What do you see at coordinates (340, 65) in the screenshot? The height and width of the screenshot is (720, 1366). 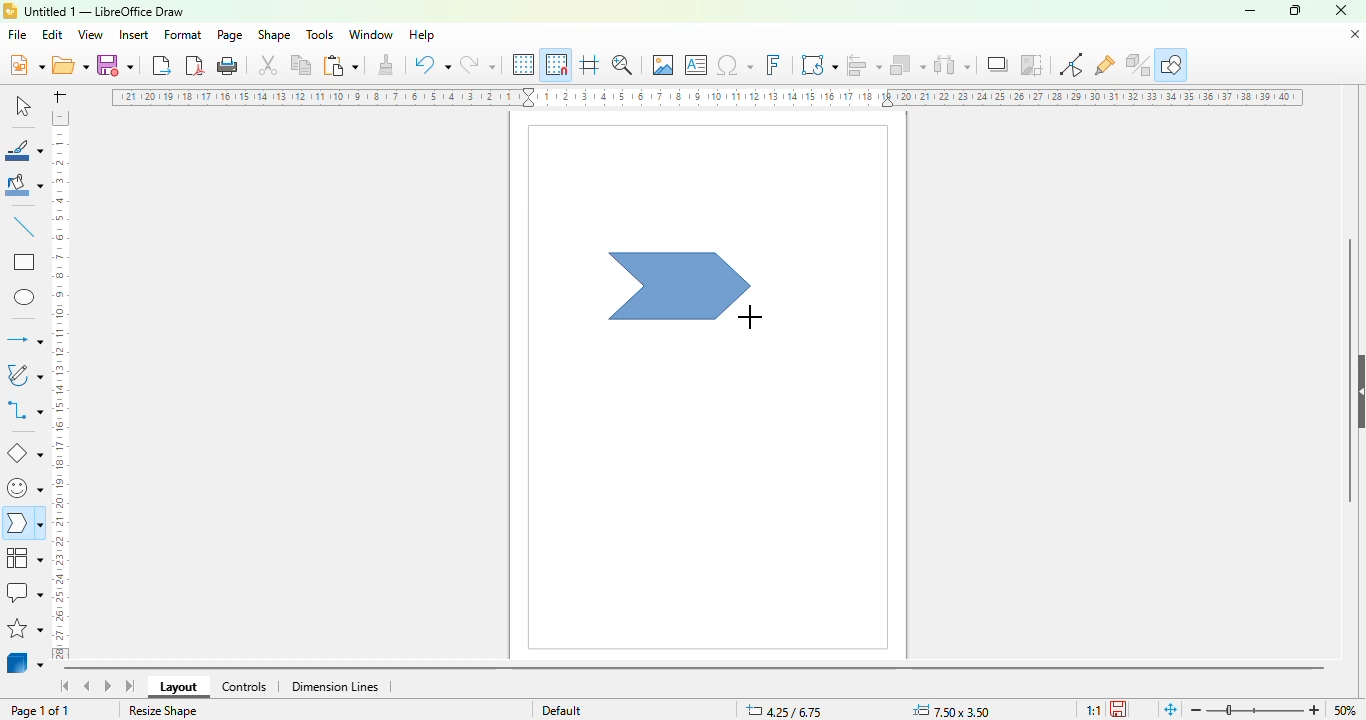 I see `paste` at bounding box center [340, 65].